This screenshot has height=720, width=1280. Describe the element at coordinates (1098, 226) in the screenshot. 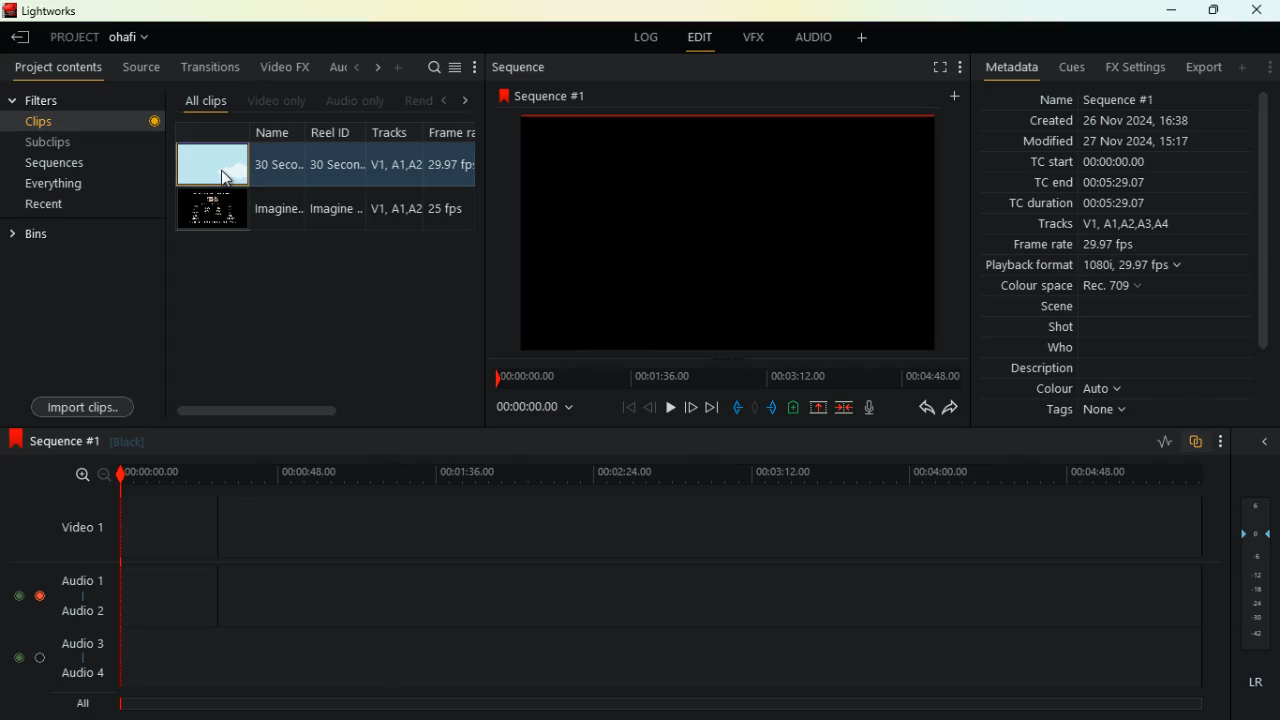

I see `tracks` at that location.